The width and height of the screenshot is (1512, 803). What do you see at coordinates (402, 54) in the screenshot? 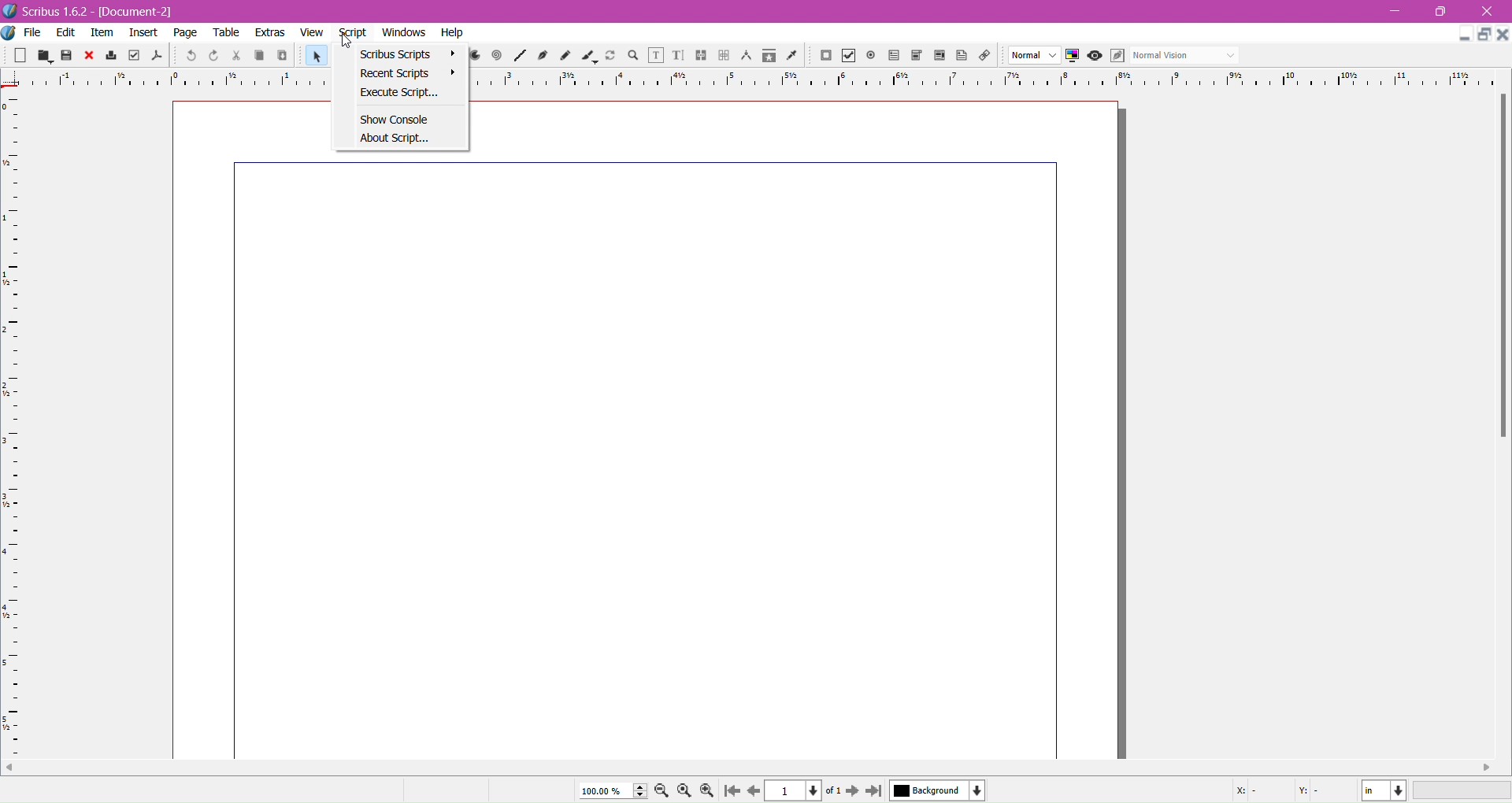
I see `Scribus Scripts` at bounding box center [402, 54].